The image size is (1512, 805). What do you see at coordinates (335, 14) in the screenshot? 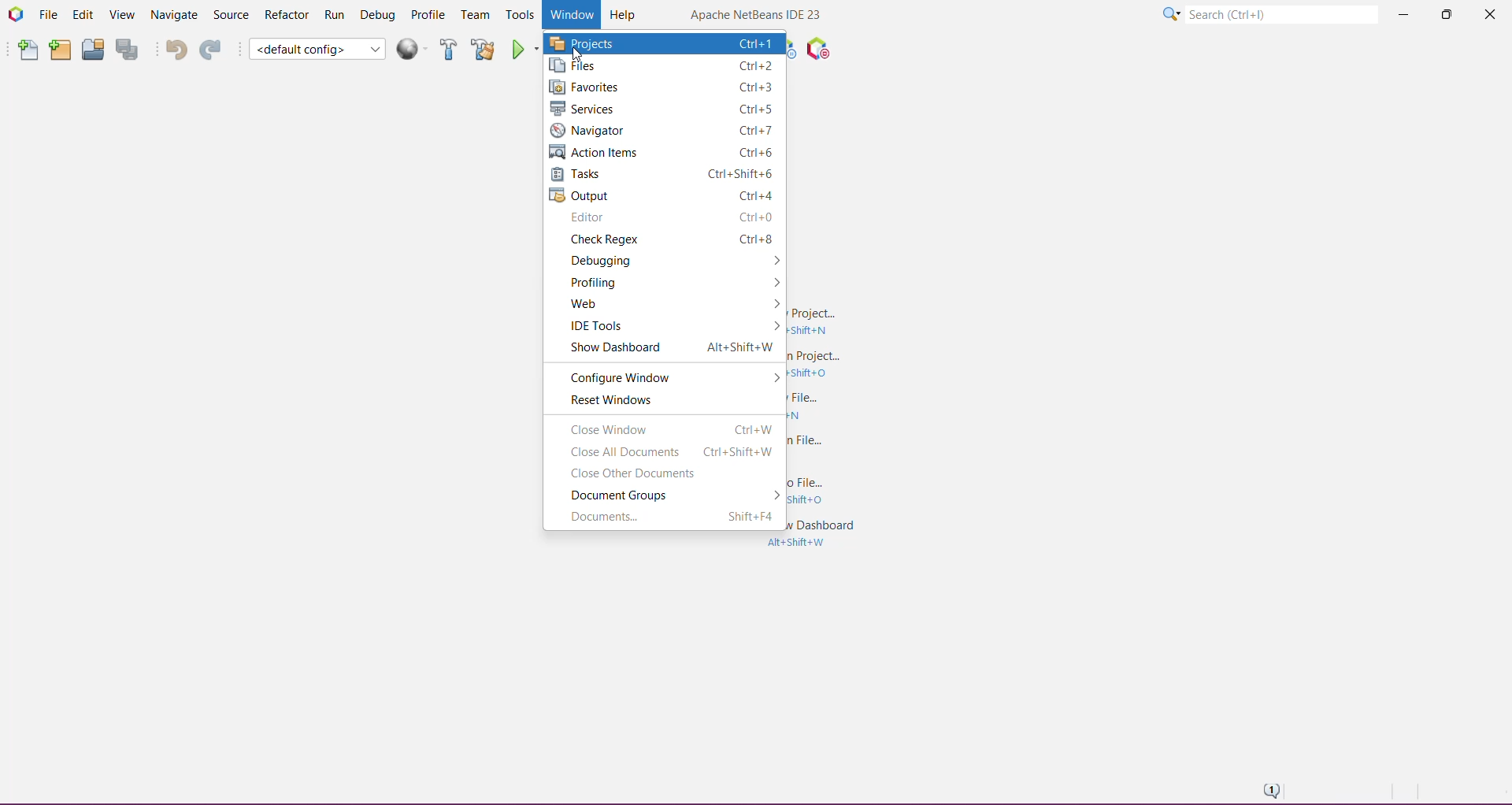
I see `Run` at bounding box center [335, 14].